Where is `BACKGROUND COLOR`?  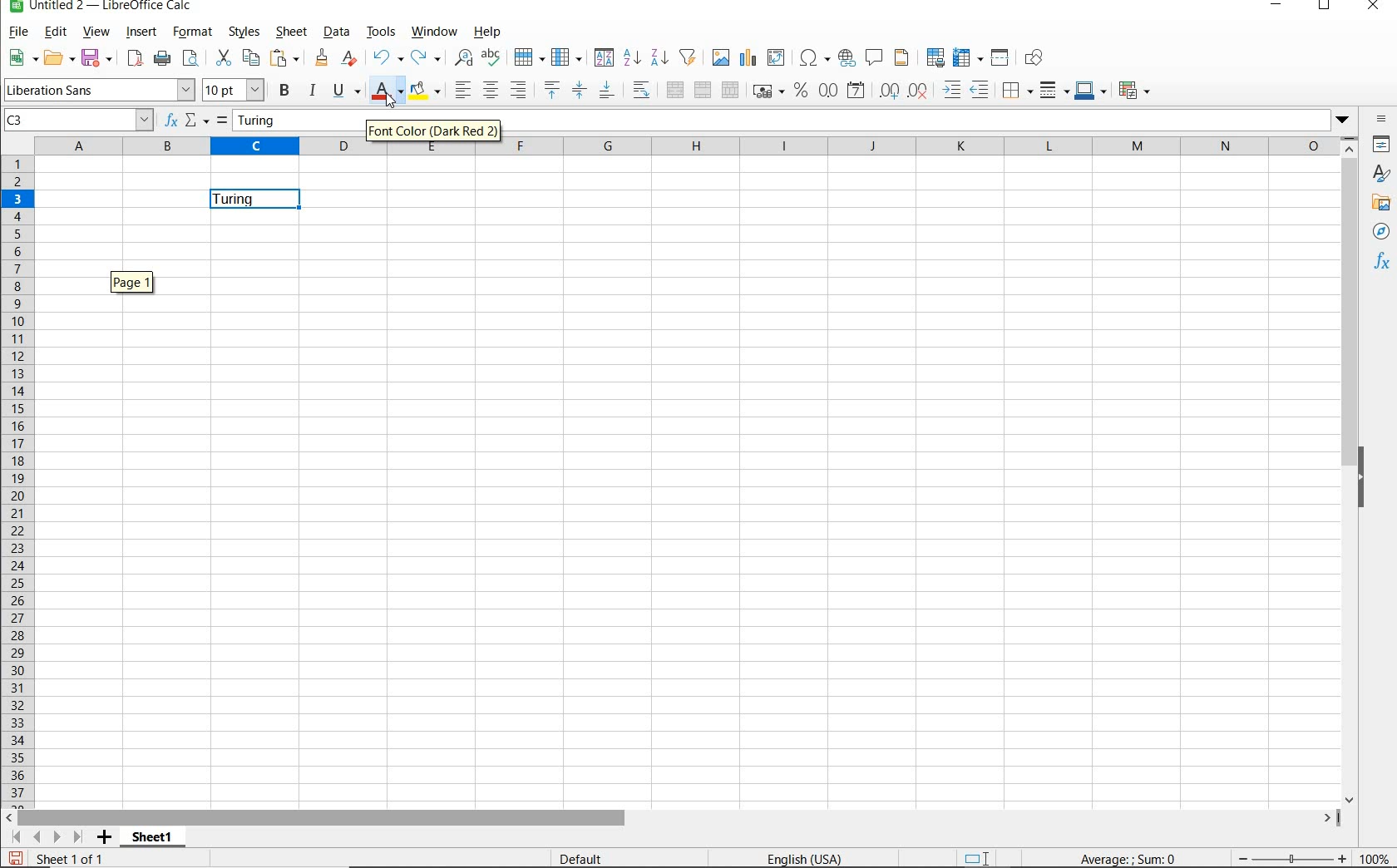
BACKGROUND COLOR is located at coordinates (428, 91).